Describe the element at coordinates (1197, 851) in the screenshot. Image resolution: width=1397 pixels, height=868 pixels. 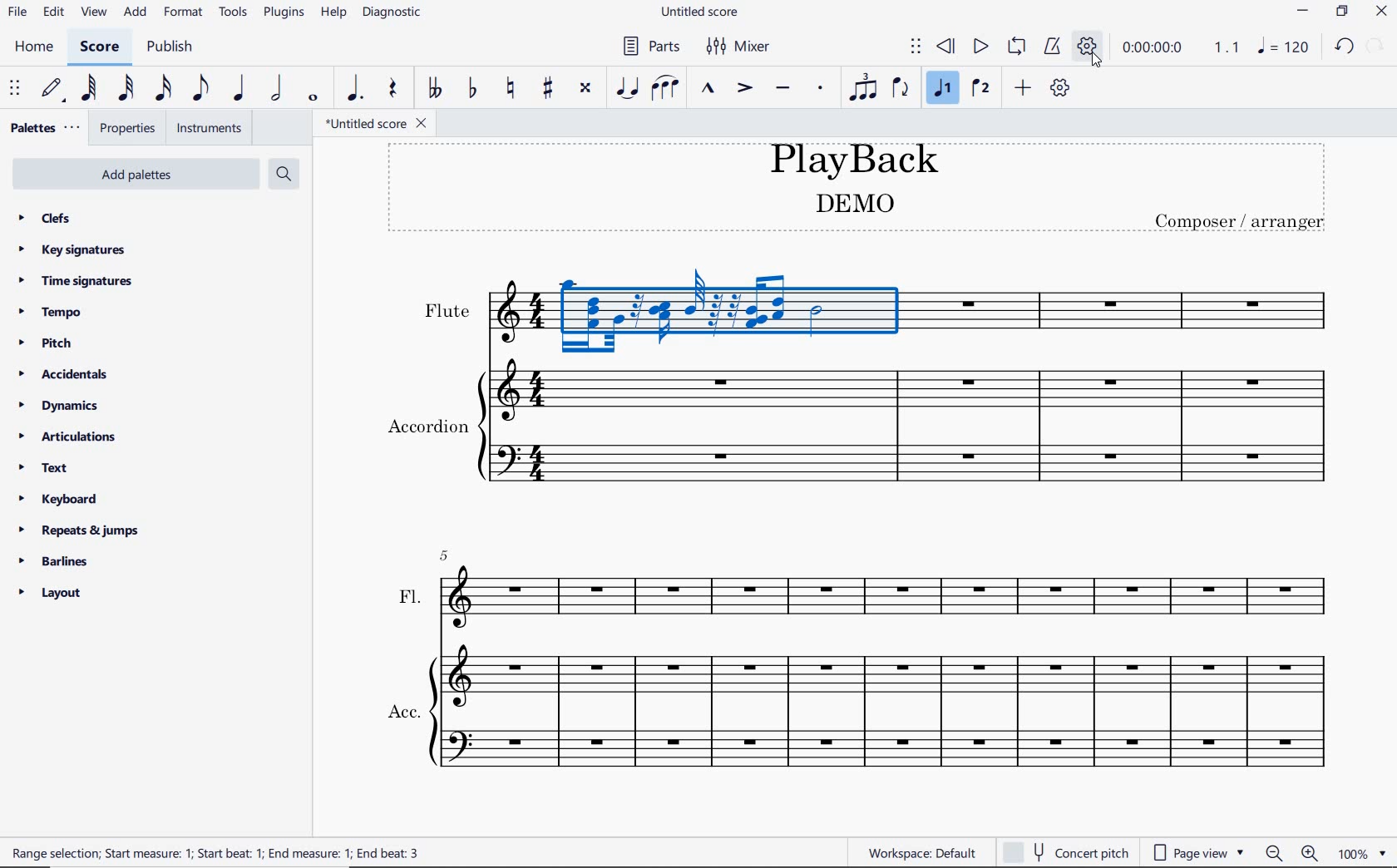
I see `PAGE VIEW` at that location.